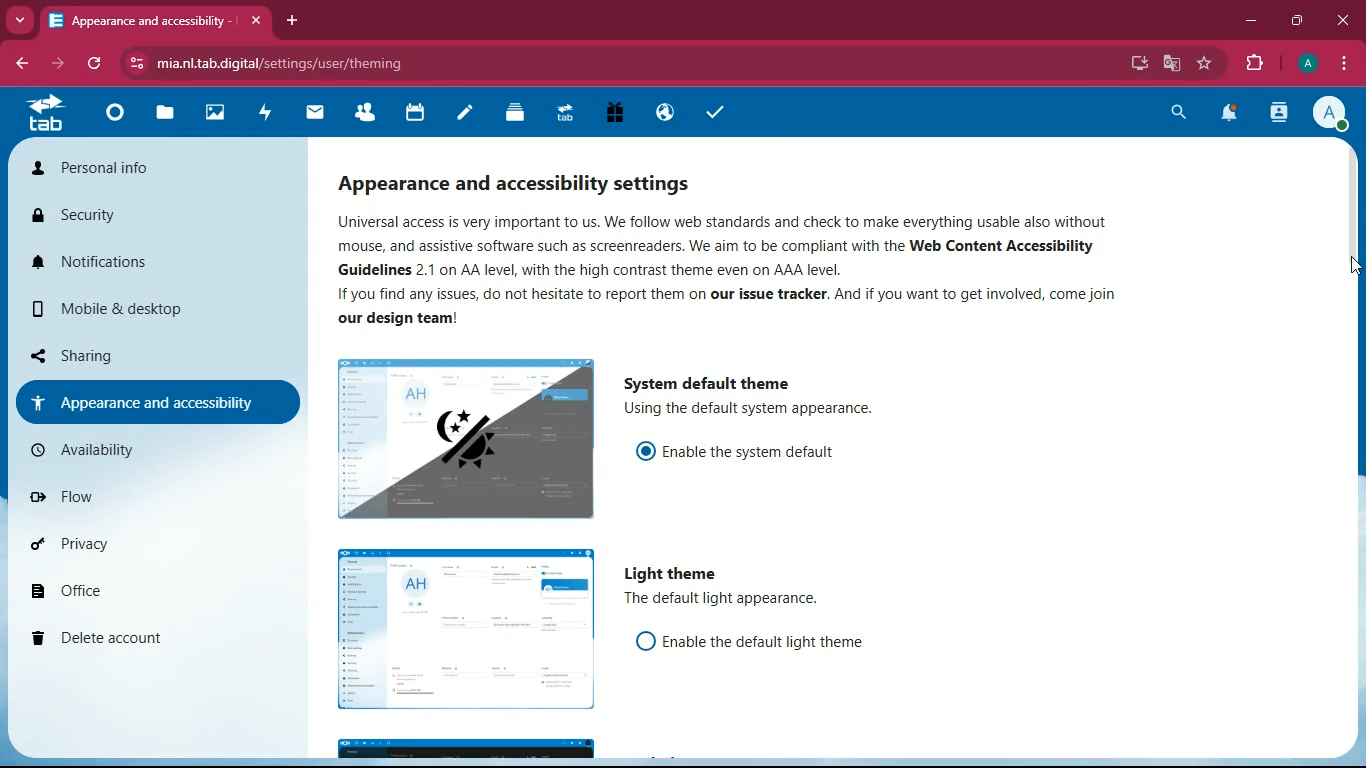 The image size is (1366, 768). Describe the element at coordinates (705, 379) in the screenshot. I see `system default` at that location.